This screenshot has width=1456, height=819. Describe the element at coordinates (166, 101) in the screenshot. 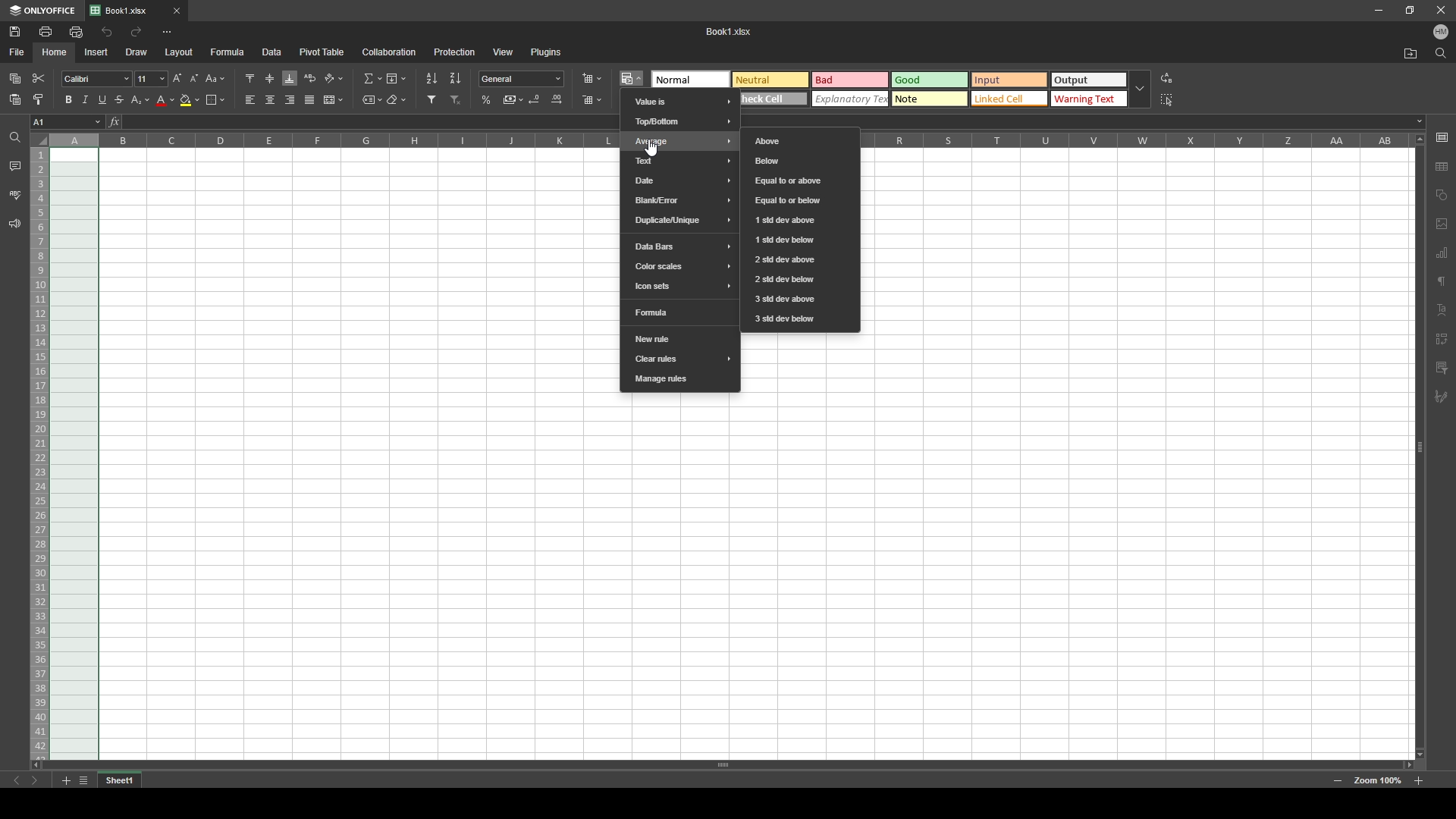

I see `font color` at that location.